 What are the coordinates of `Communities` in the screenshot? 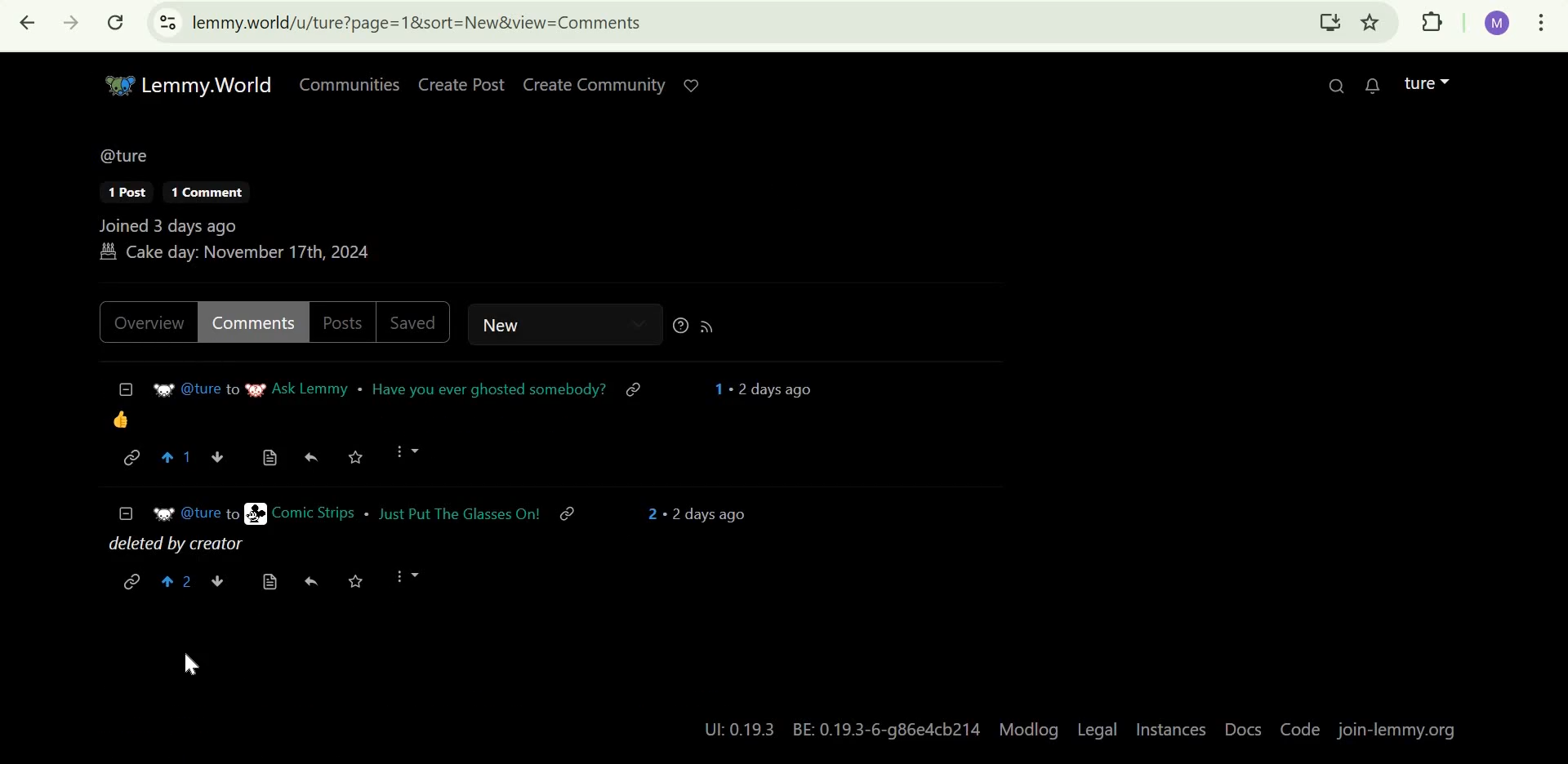 It's located at (345, 83).